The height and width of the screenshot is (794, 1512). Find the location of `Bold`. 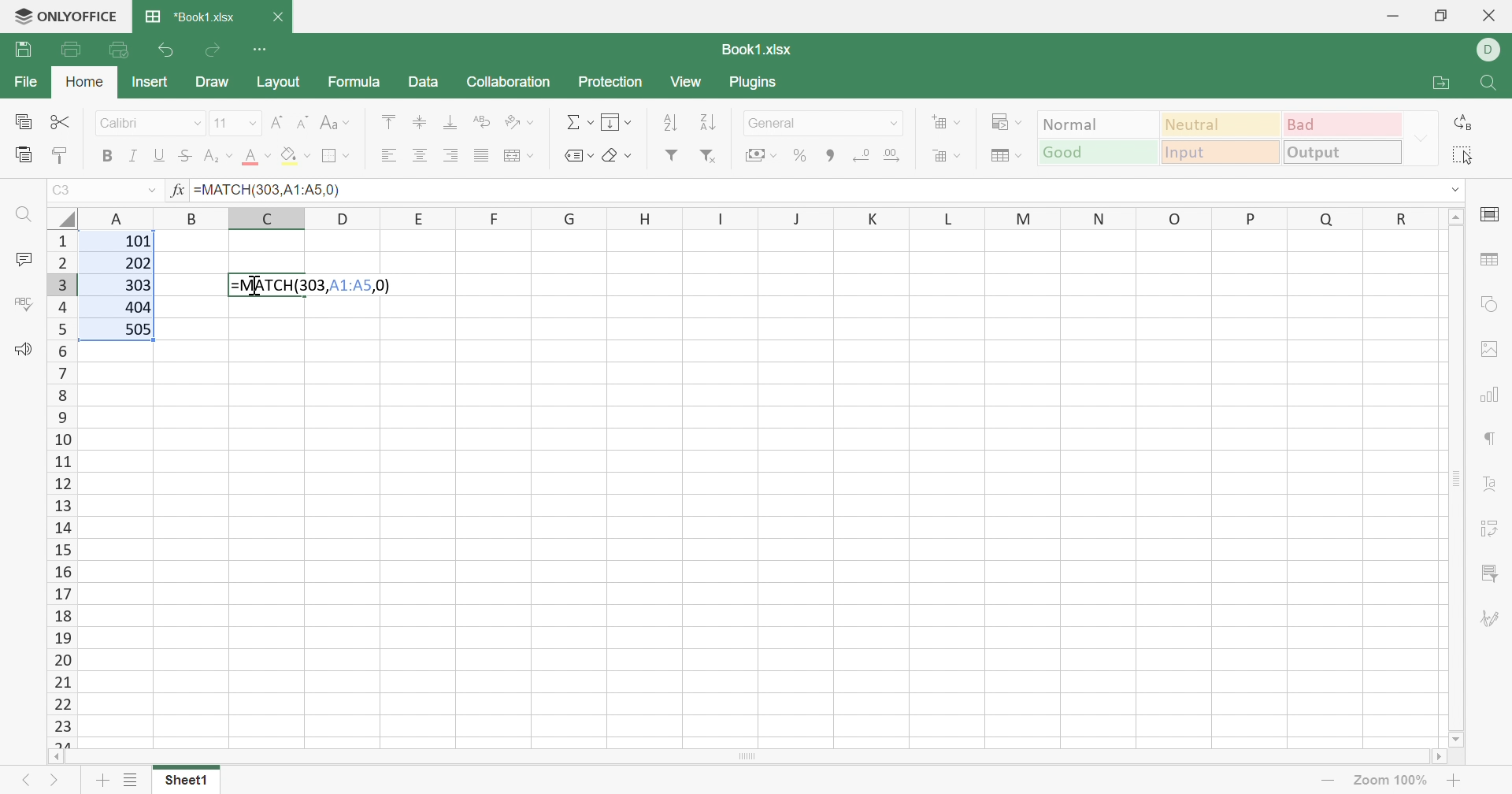

Bold is located at coordinates (106, 155).